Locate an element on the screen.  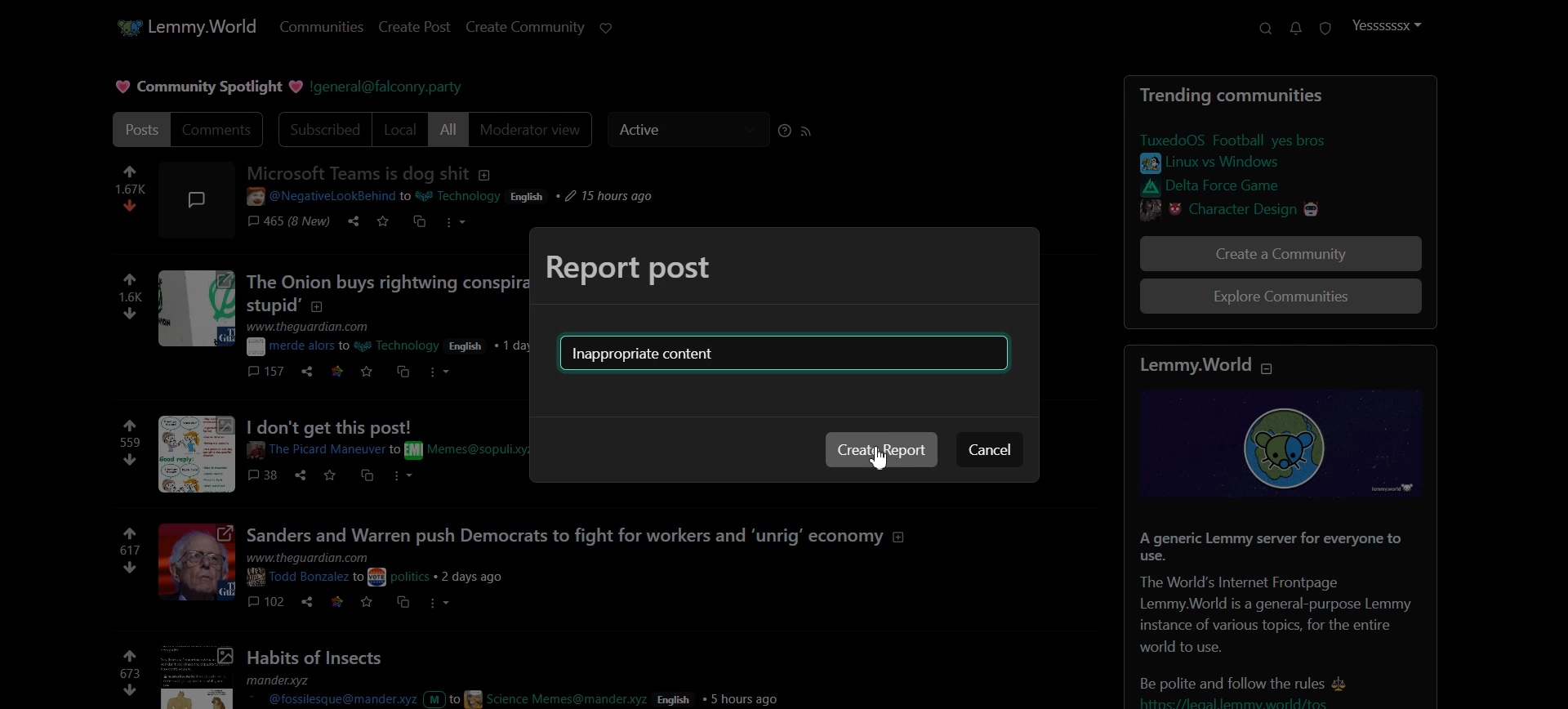
share is located at coordinates (308, 373).